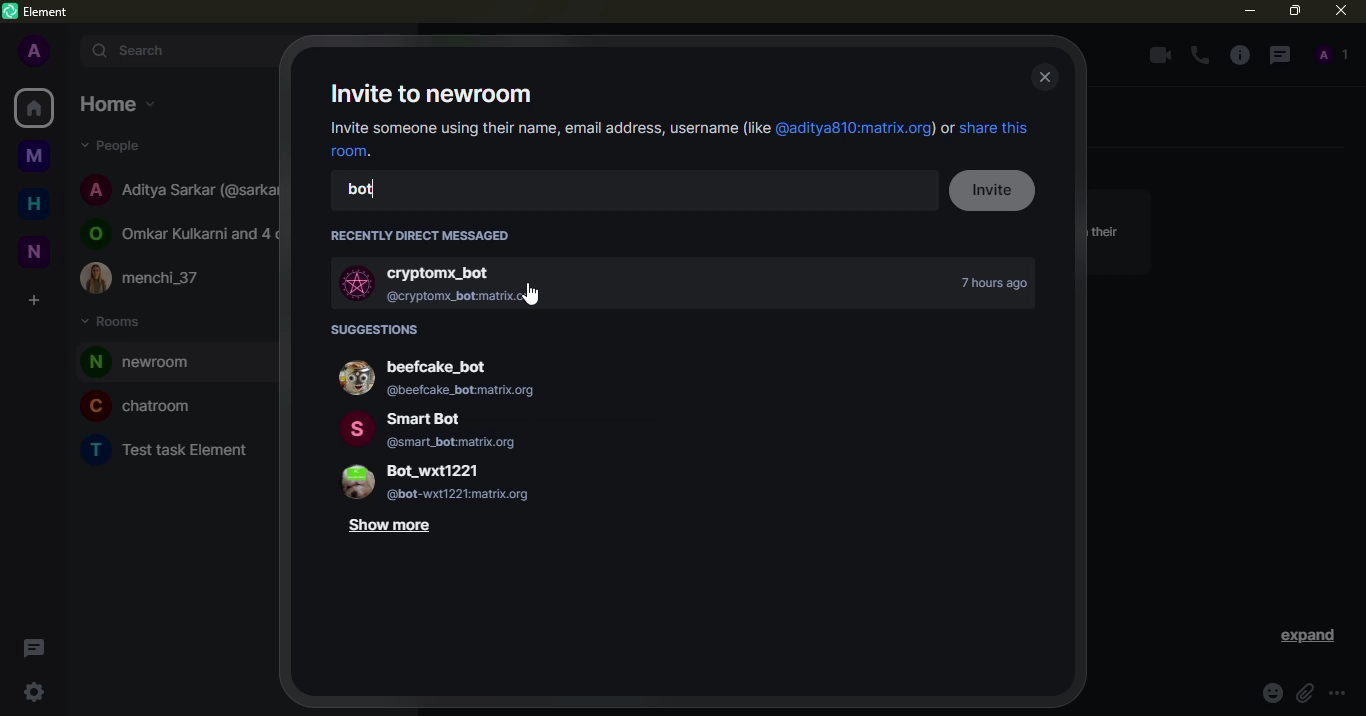 The width and height of the screenshot is (1366, 716). What do you see at coordinates (1309, 638) in the screenshot?
I see `expand` at bounding box center [1309, 638].